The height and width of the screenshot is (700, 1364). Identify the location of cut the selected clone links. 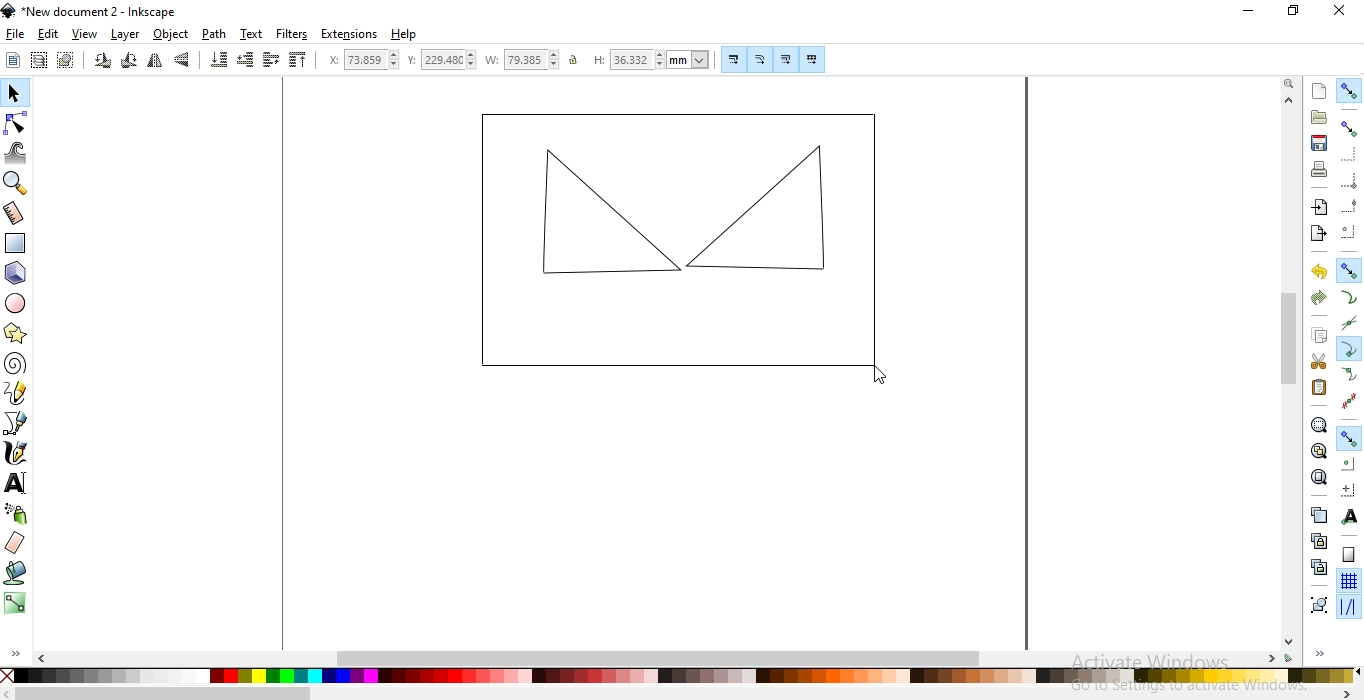
(1319, 567).